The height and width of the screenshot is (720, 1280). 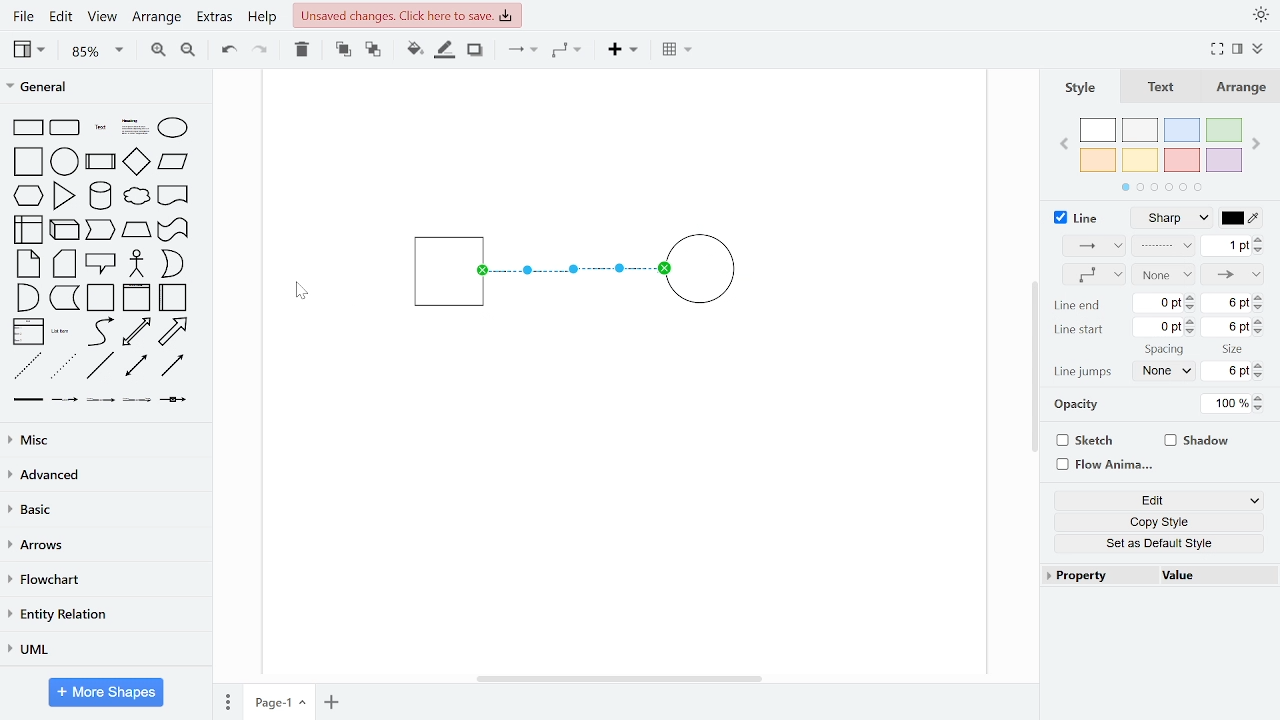 I want to click on advanced, so click(x=102, y=474).